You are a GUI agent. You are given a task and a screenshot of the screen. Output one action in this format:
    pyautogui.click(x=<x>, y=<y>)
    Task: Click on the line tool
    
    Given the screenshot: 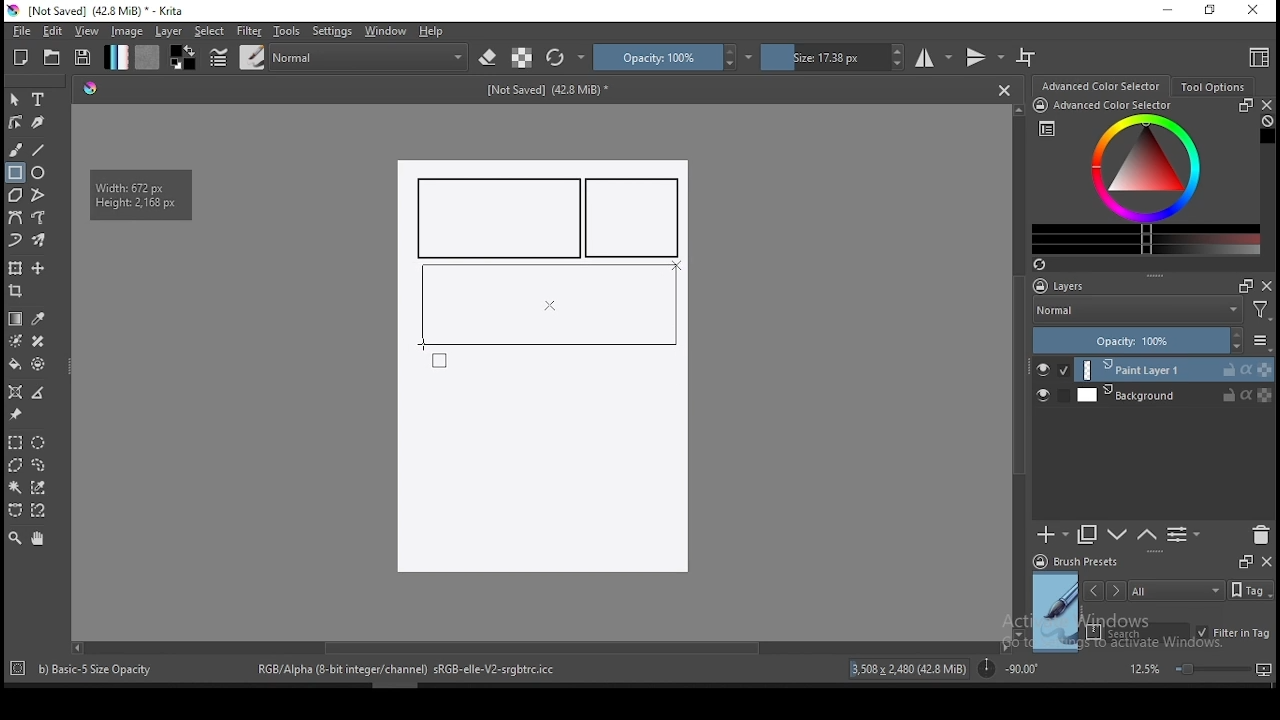 What is the action you would take?
    pyautogui.click(x=39, y=150)
    